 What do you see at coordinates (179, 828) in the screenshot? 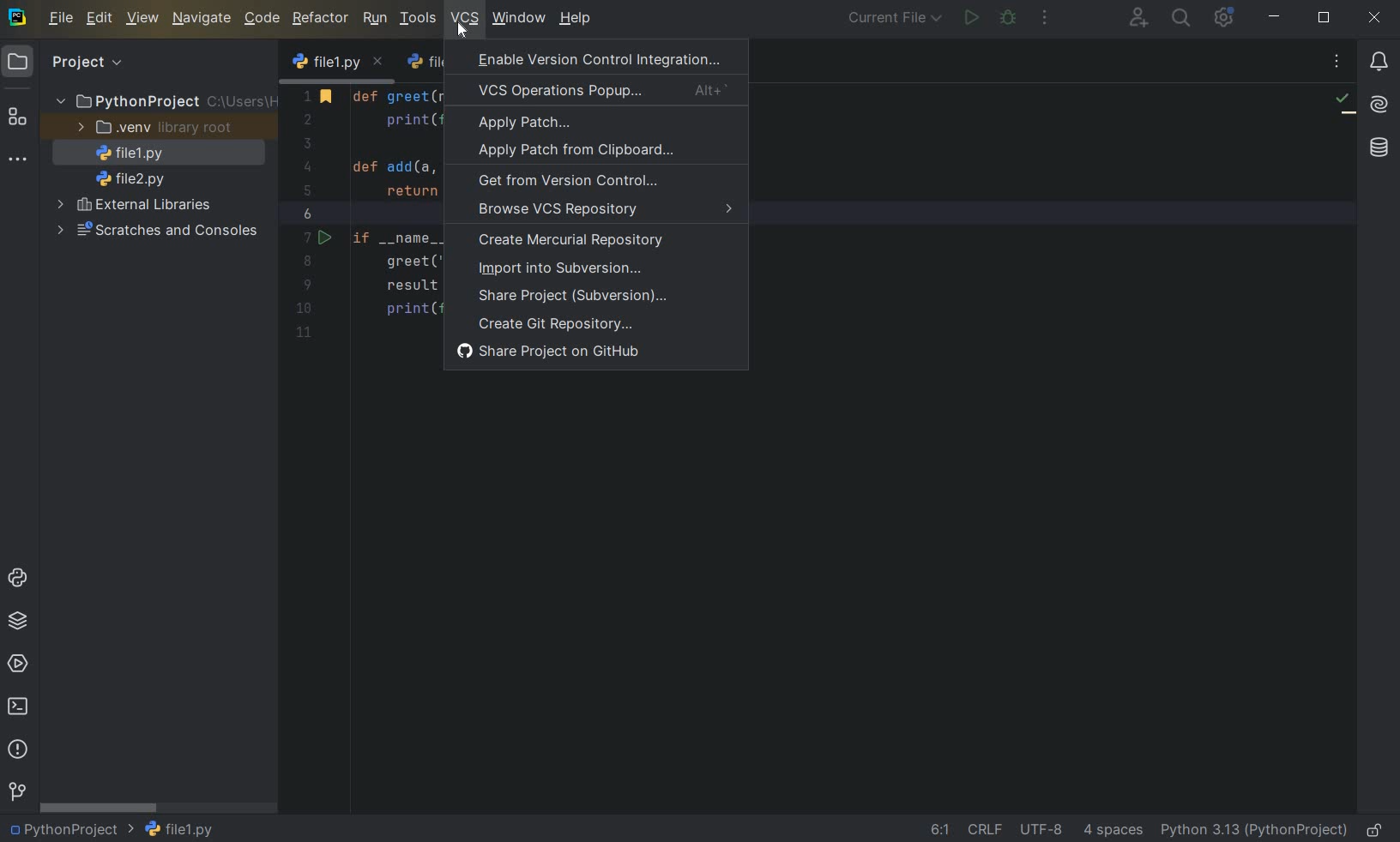
I see `file name 1` at bounding box center [179, 828].